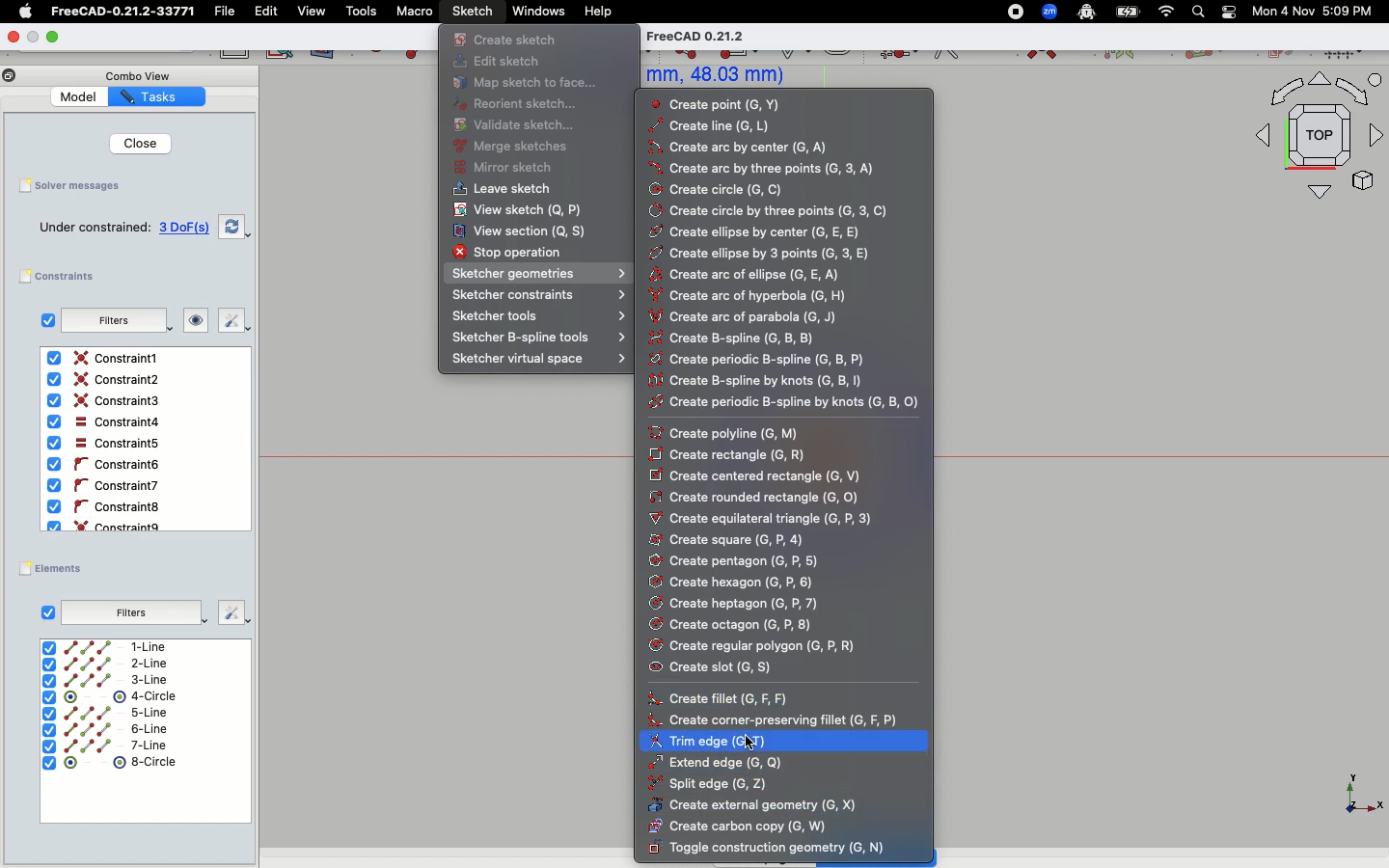  What do you see at coordinates (525, 123) in the screenshot?
I see `Validate sketch` at bounding box center [525, 123].